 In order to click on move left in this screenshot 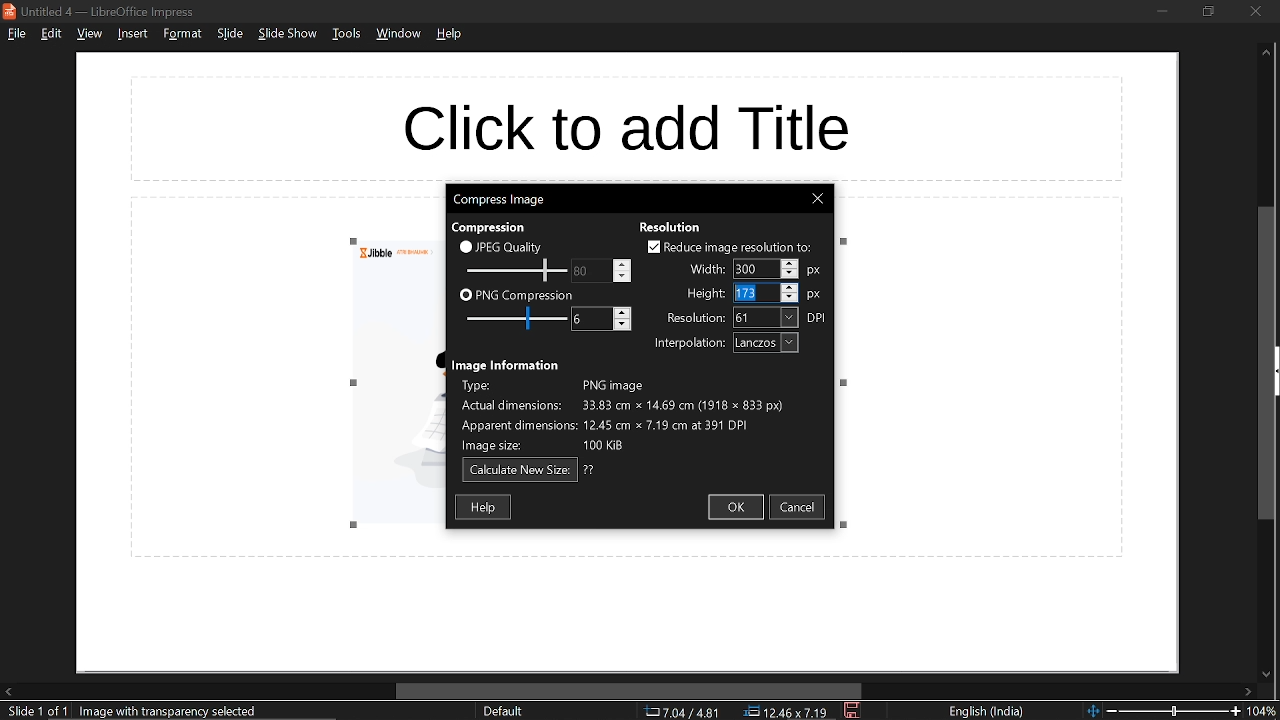, I will do `click(8, 692)`.